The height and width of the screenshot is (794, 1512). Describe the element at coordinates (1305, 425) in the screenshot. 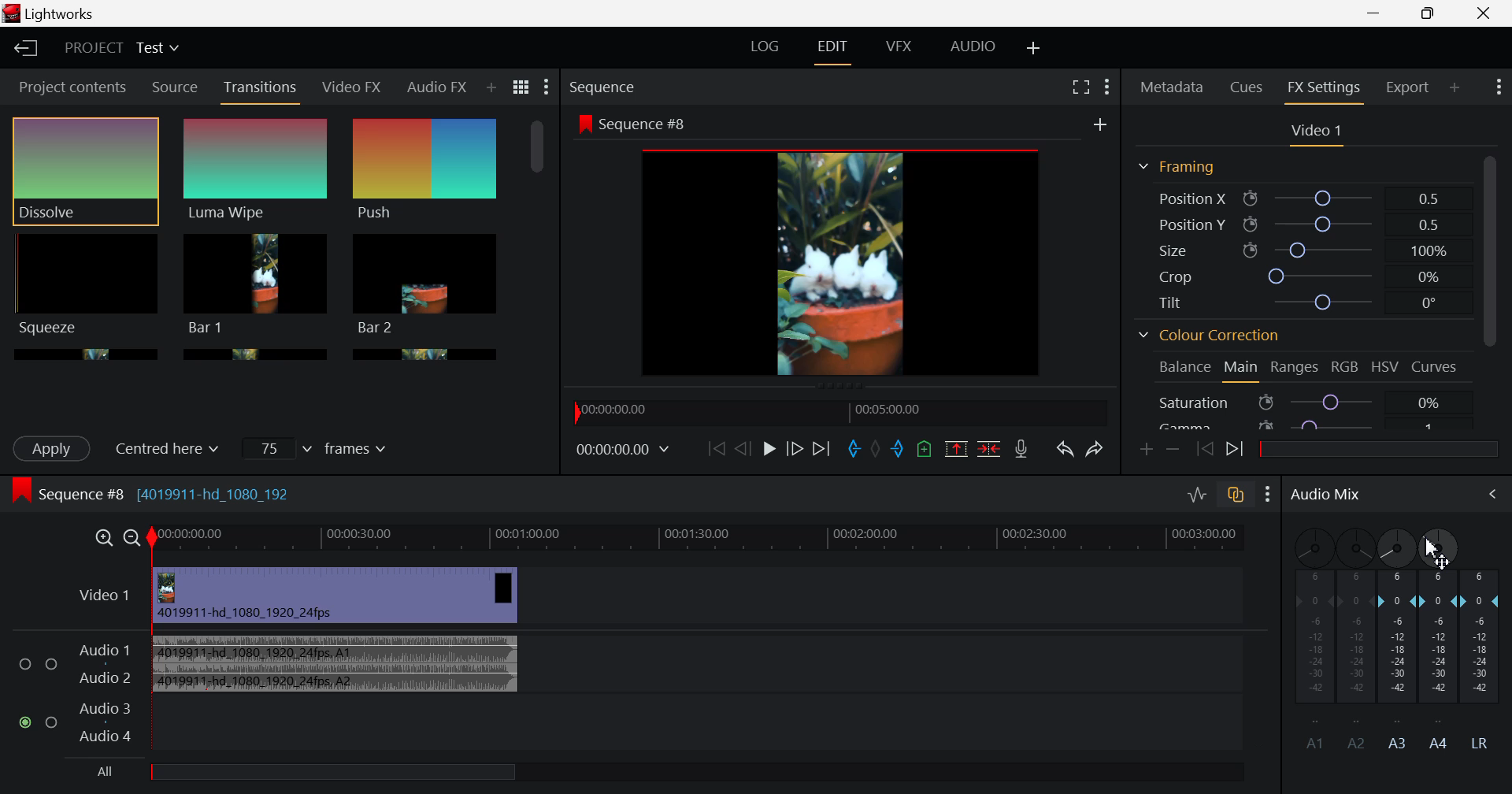

I see `Gamma` at that location.